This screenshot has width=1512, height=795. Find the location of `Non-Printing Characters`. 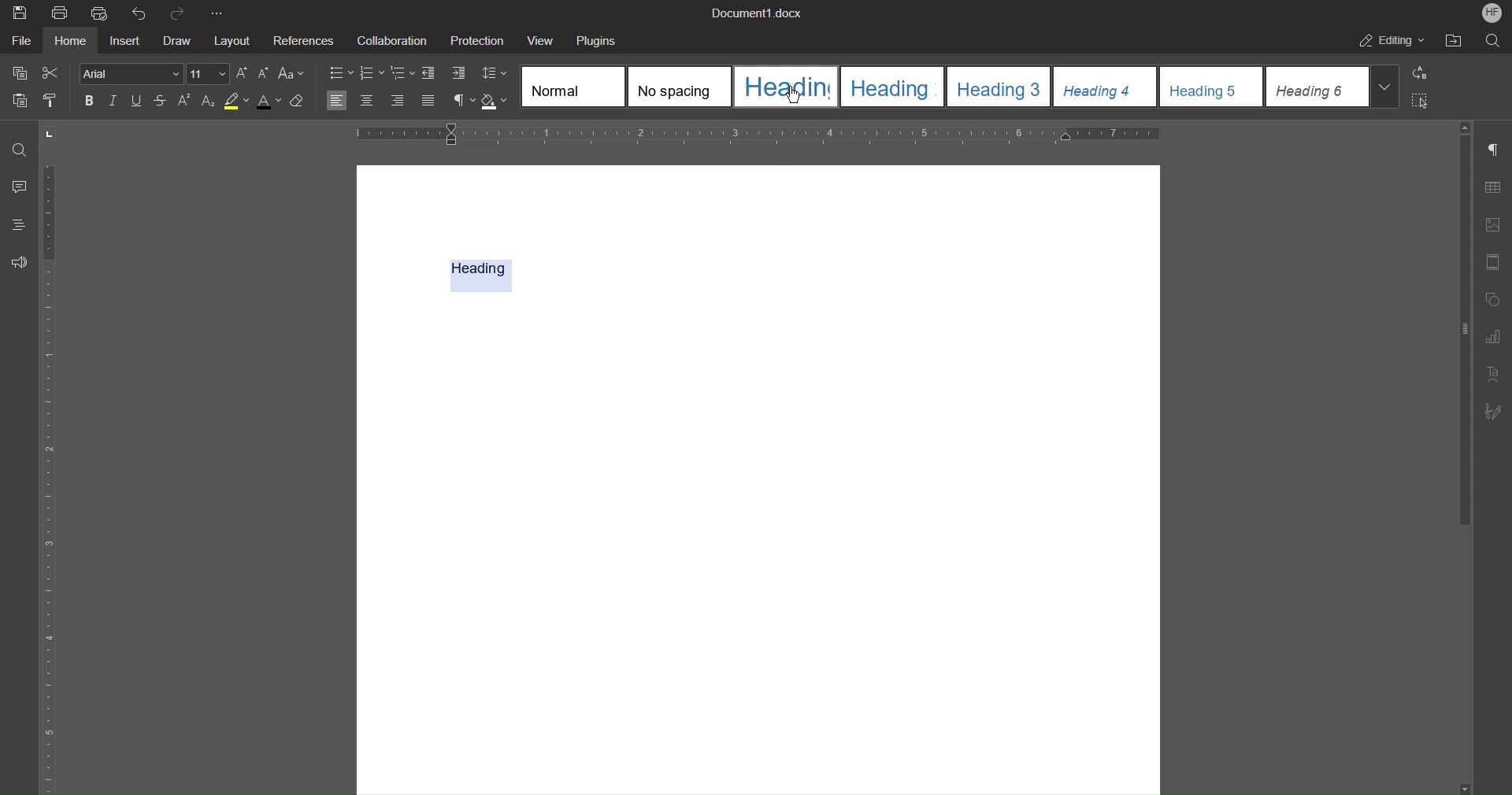

Non-Printing Characters is located at coordinates (1496, 153).